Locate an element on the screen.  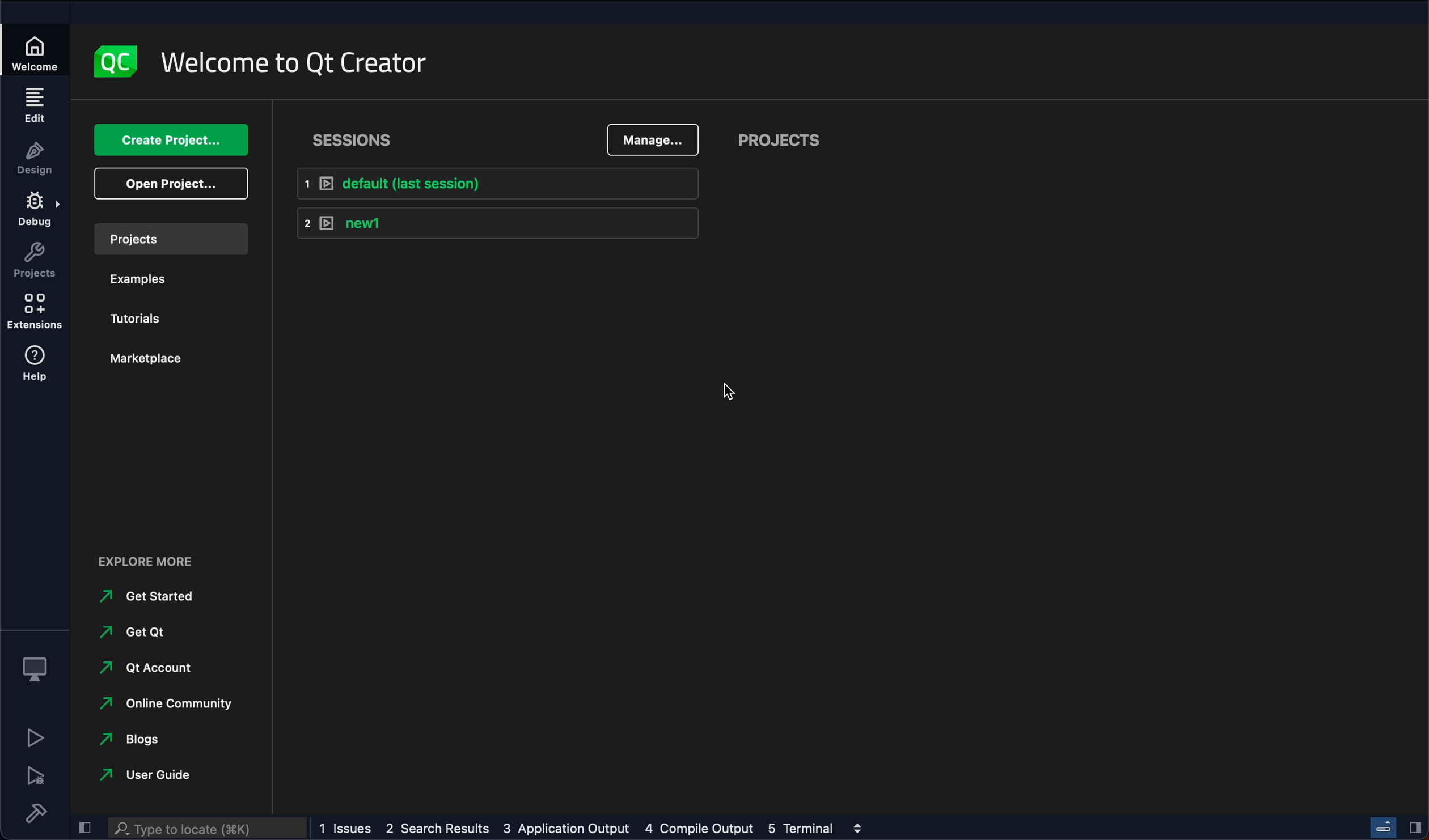
blogs is located at coordinates (130, 740).